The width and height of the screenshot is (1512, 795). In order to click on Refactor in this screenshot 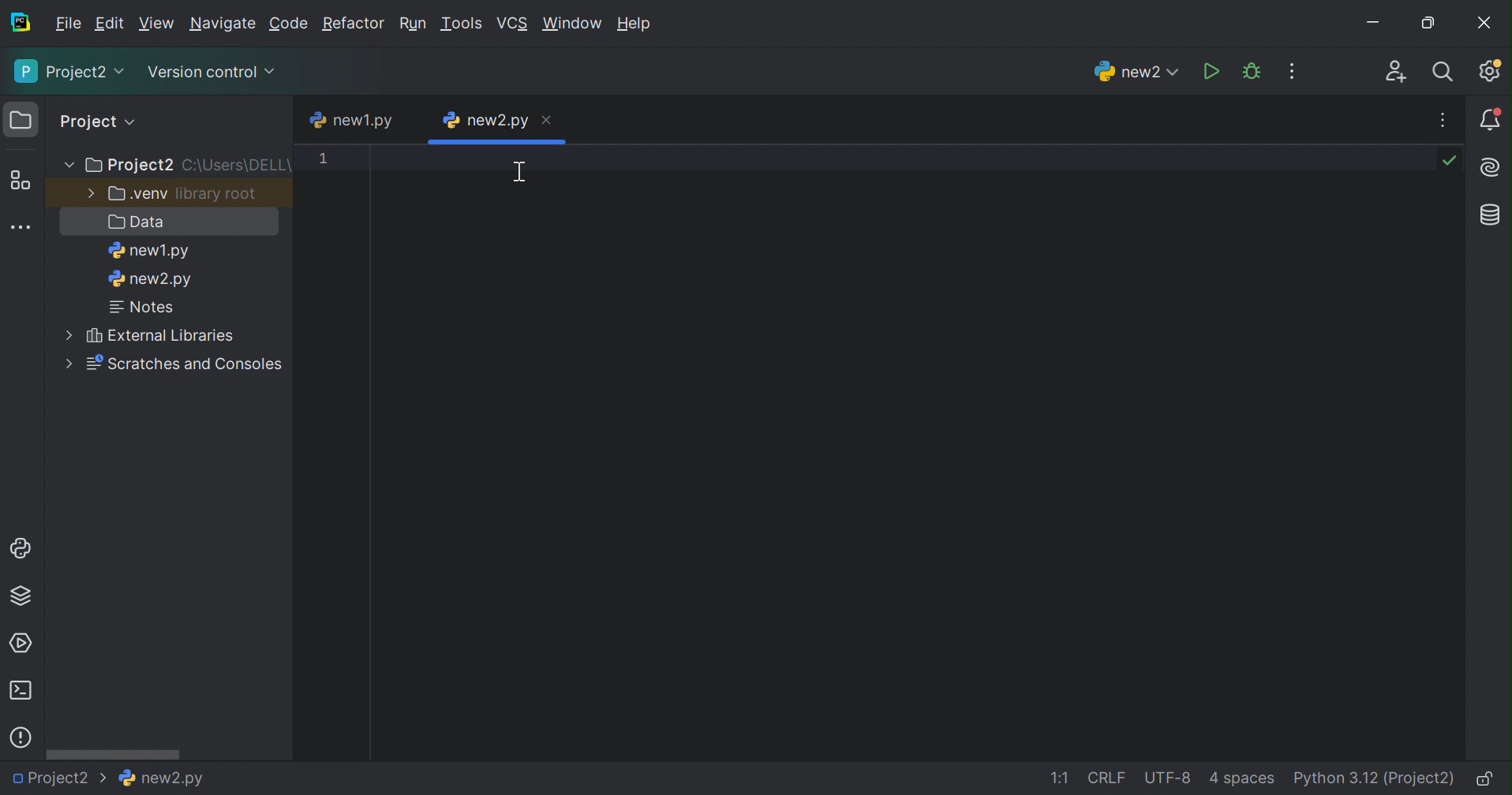, I will do `click(353, 24)`.